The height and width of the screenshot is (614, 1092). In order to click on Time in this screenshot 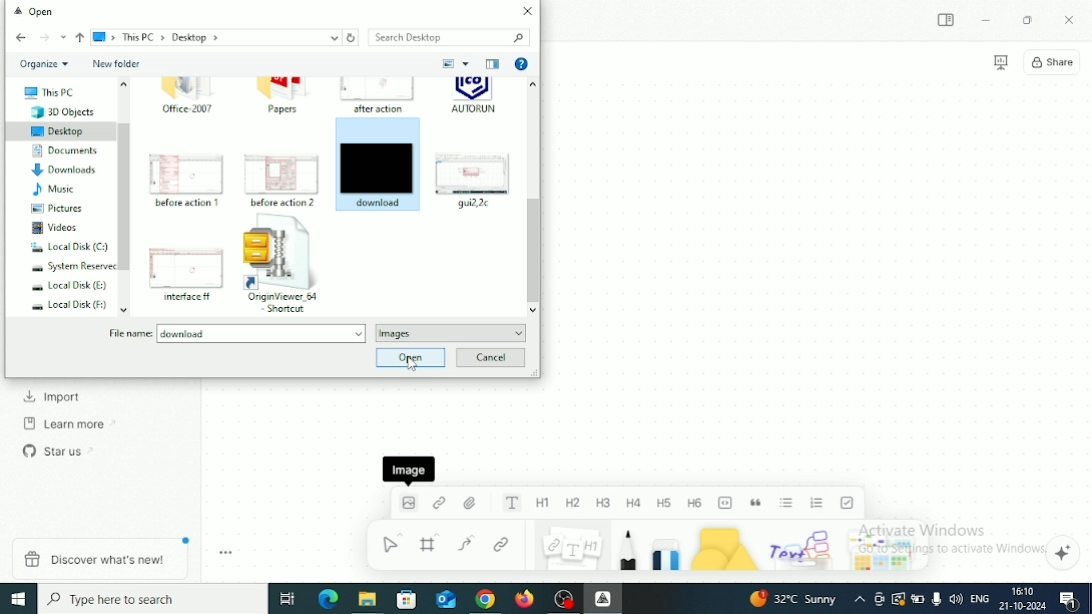, I will do `click(1023, 590)`.